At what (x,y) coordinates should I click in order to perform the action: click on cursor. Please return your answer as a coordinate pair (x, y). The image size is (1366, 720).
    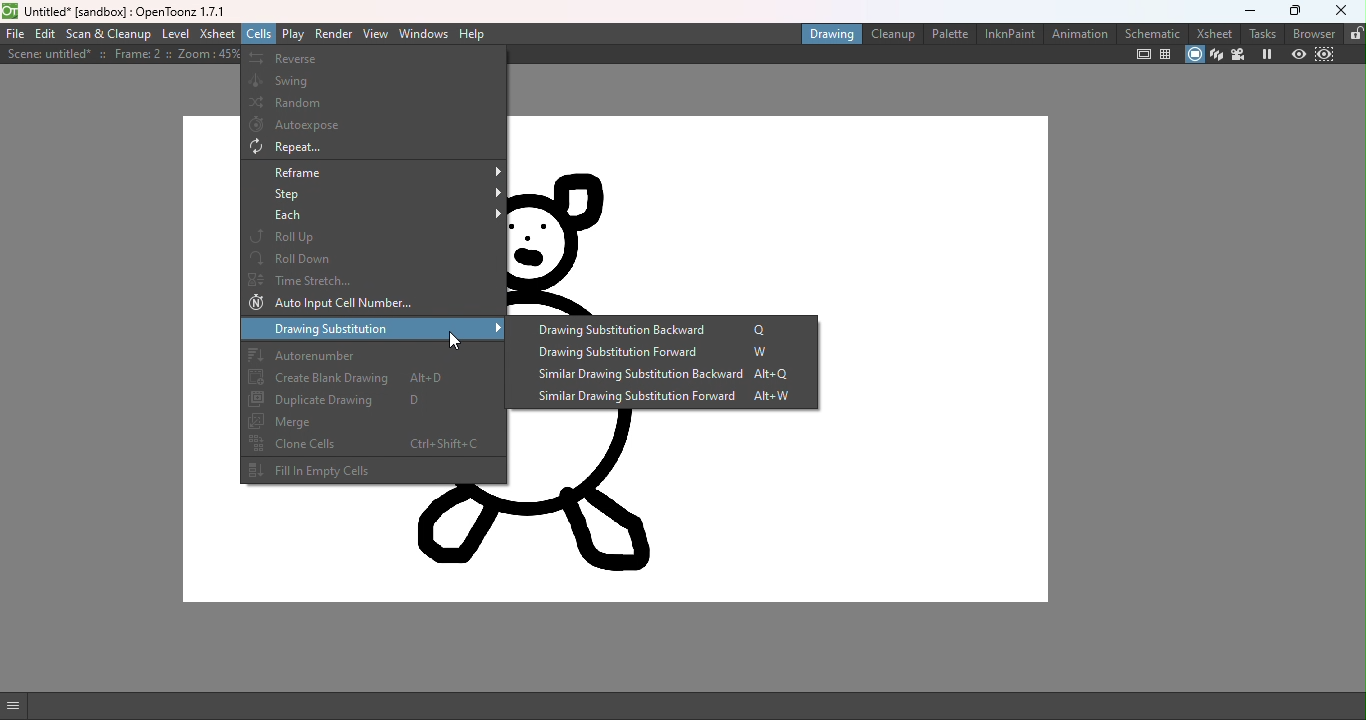
    Looking at the image, I should click on (460, 339).